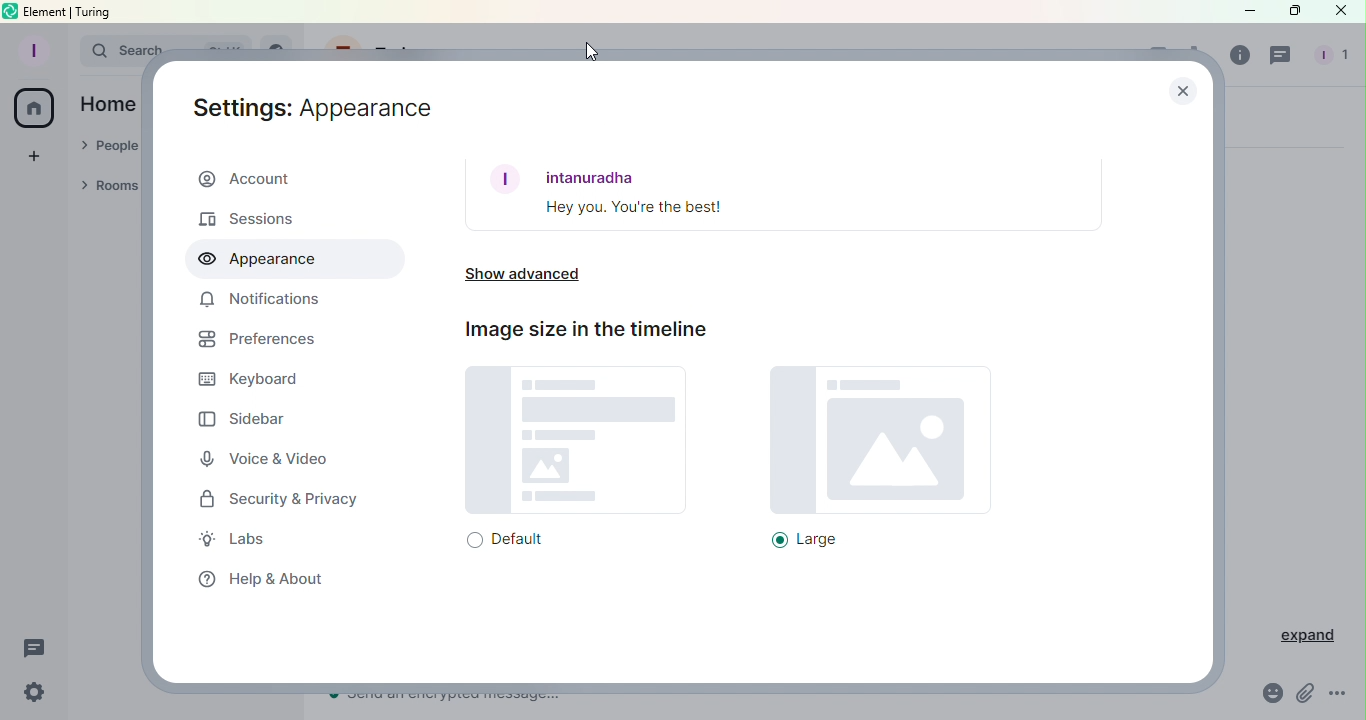  I want to click on People, so click(109, 147).